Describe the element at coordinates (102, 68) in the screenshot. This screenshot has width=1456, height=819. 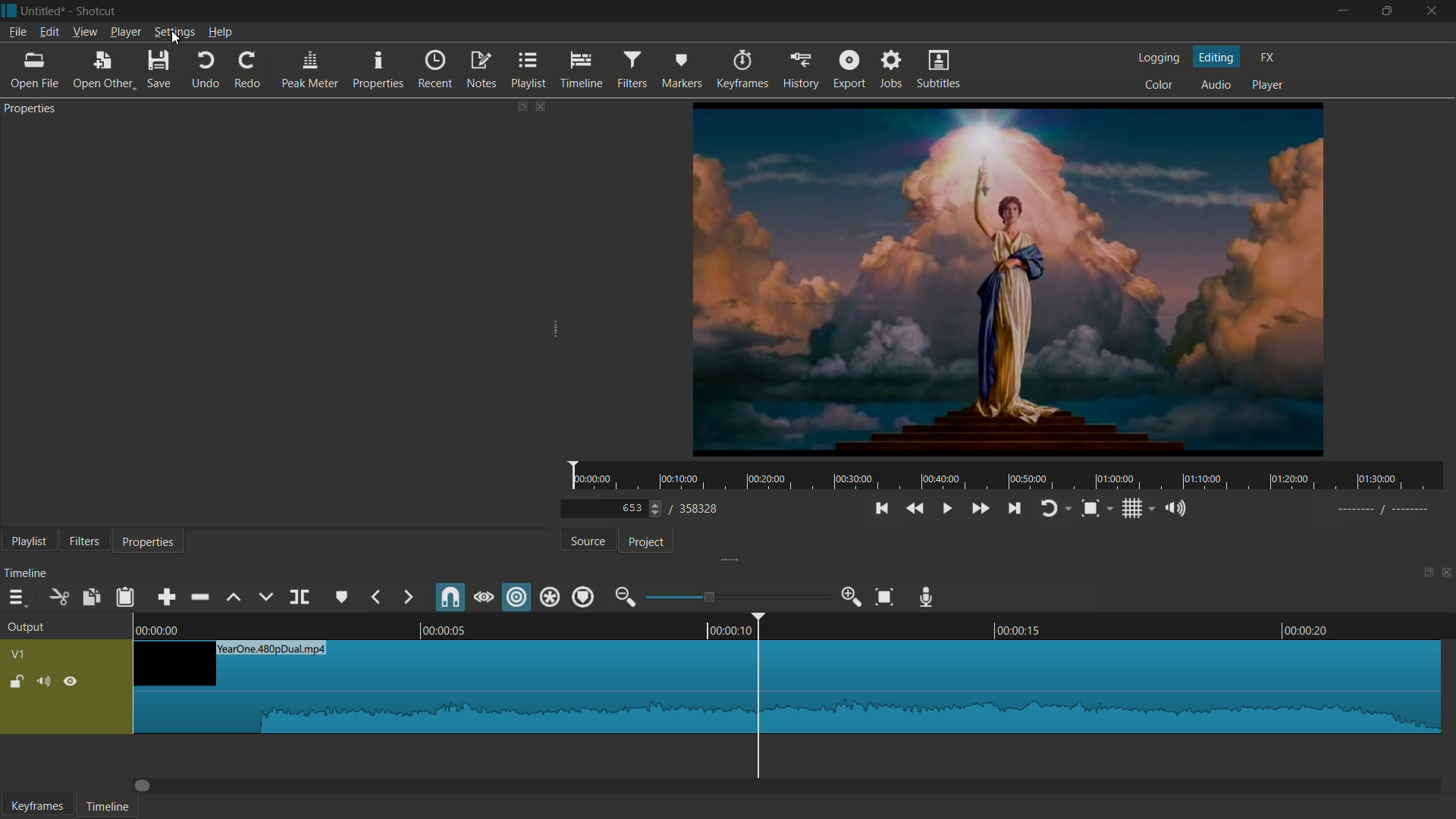
I see `open other` at that location.